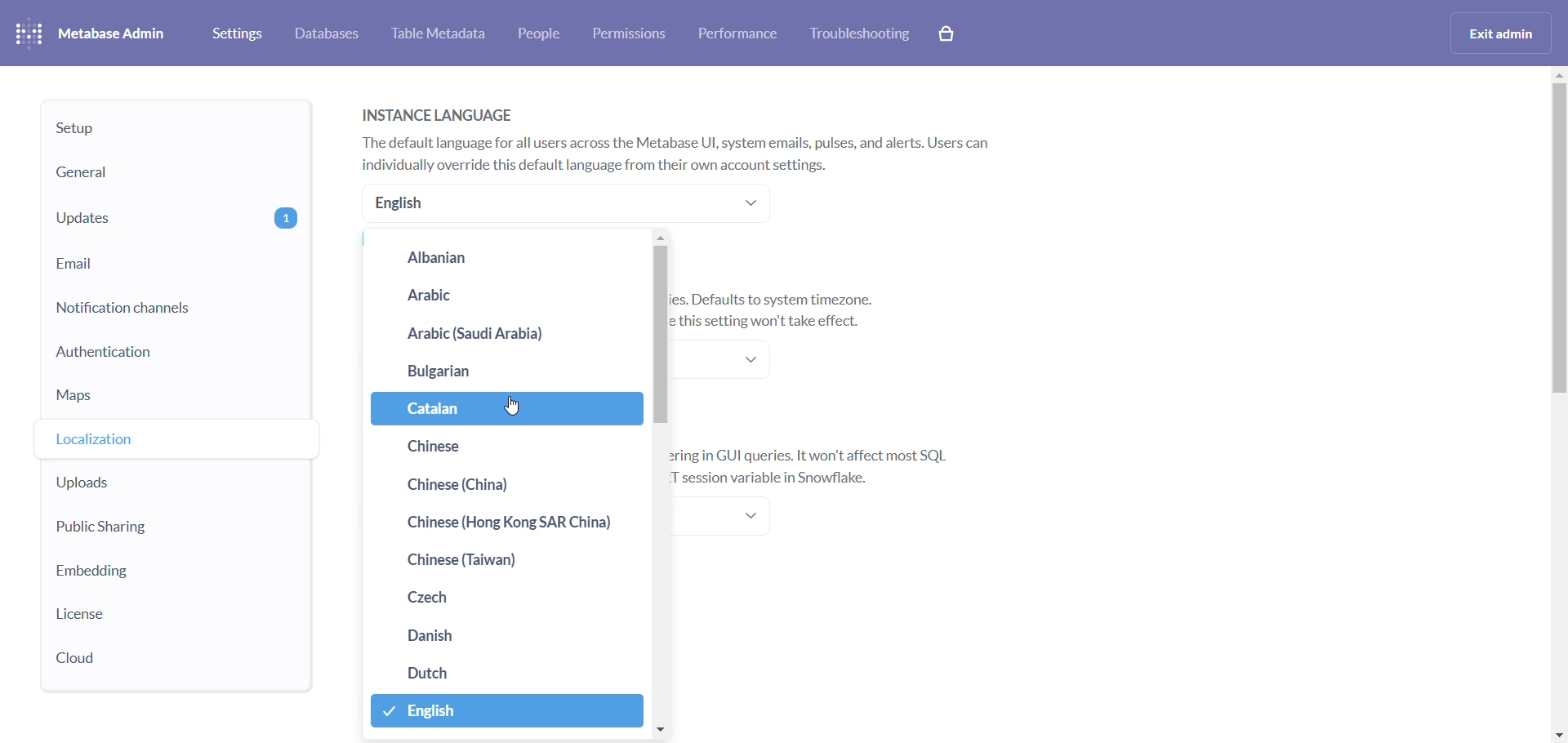 The width and height of the screenshot is (1568, 743). Describe the element at coordinates (99, 30) in the screenshot. I see `metabase admin` at that location.